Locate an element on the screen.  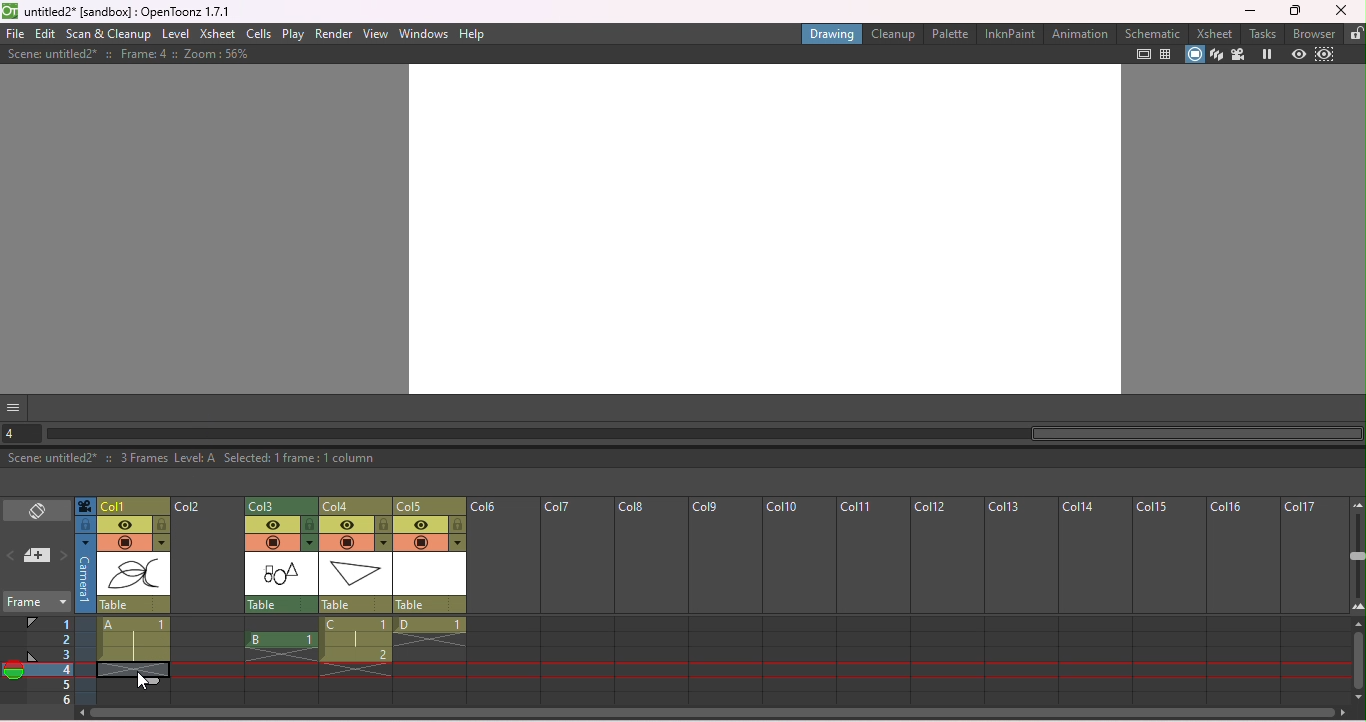
Camera stand view is located at coordinates (1196, 55).